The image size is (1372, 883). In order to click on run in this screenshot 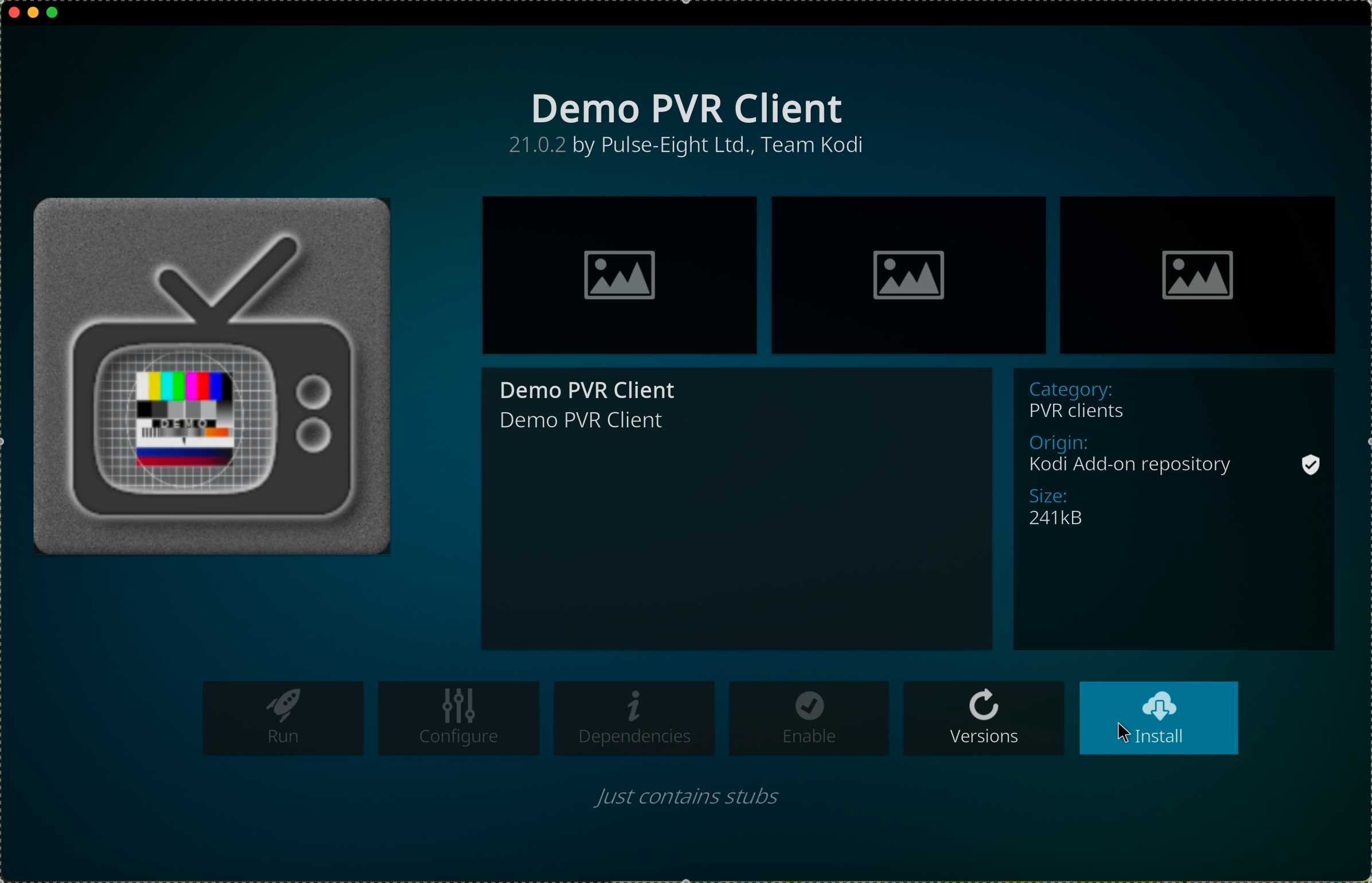, I will do `click(284, 718)`.